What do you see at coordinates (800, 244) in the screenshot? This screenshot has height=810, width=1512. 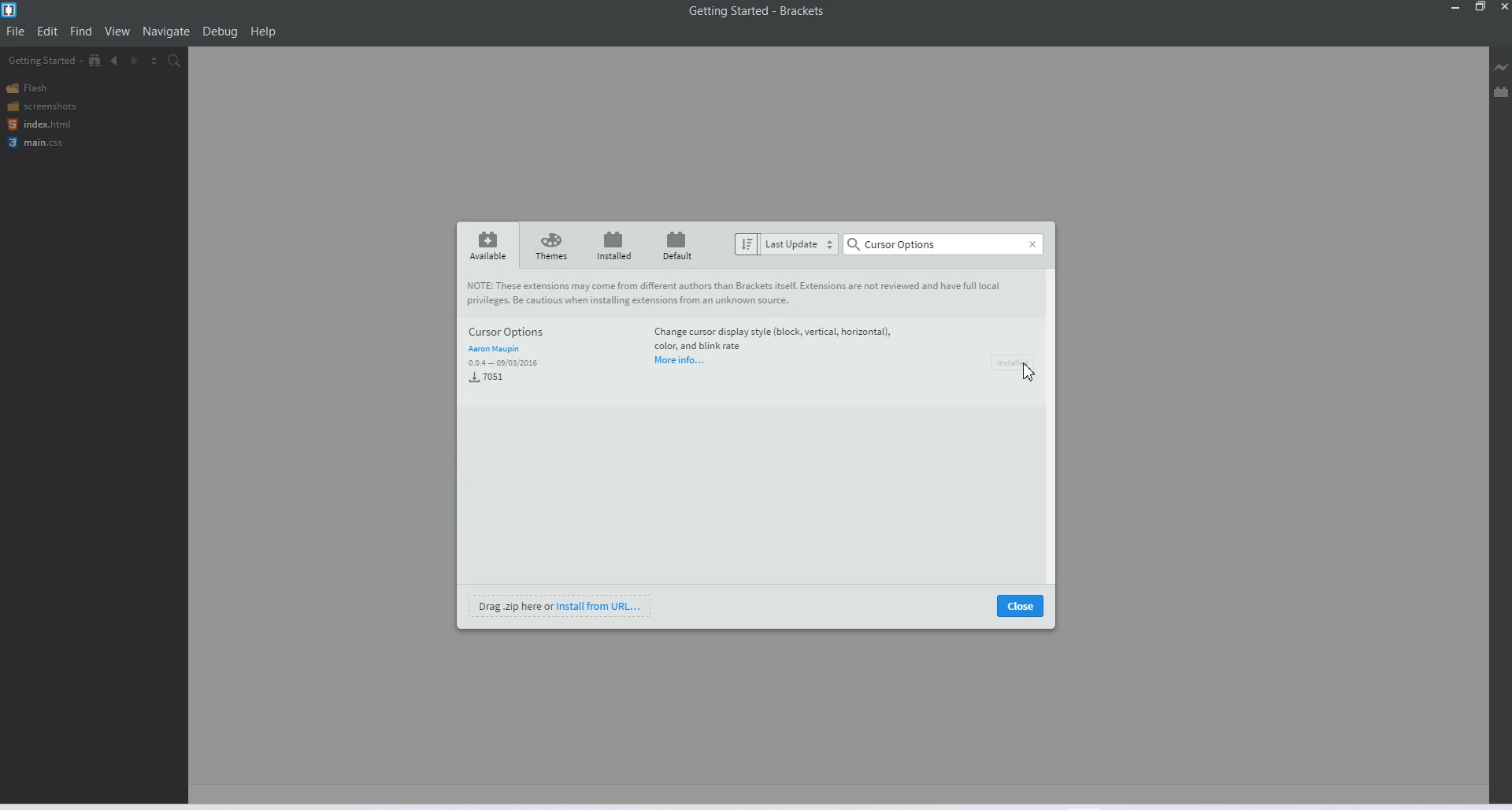 I see `last update` at bounding box center [800, 244].